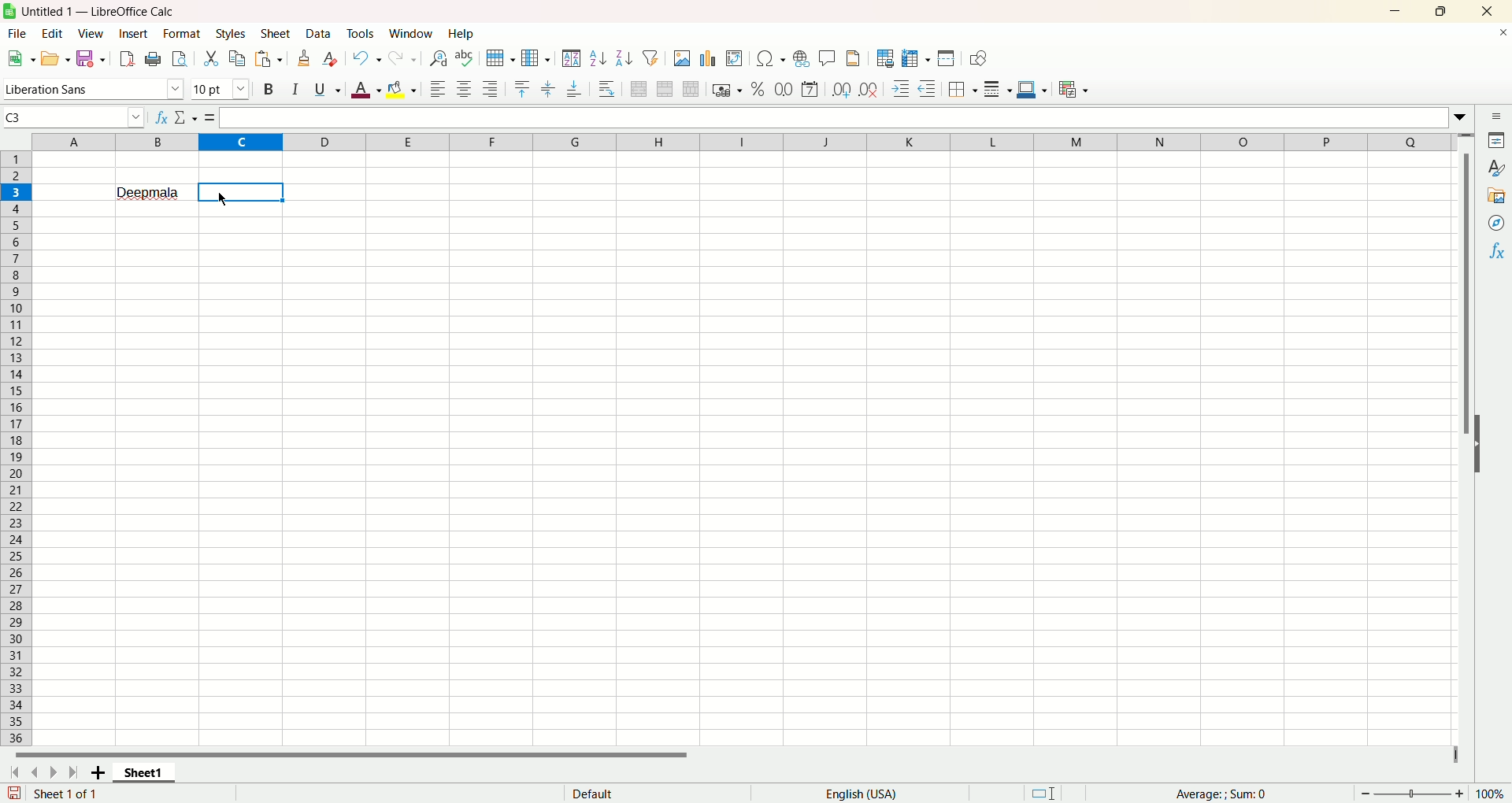 This screenshot has height=803, width=1512. What do you see at coordinates (1494, 224) in the screenshot?
I see `Navigator` at bounding box center [1494, 224].